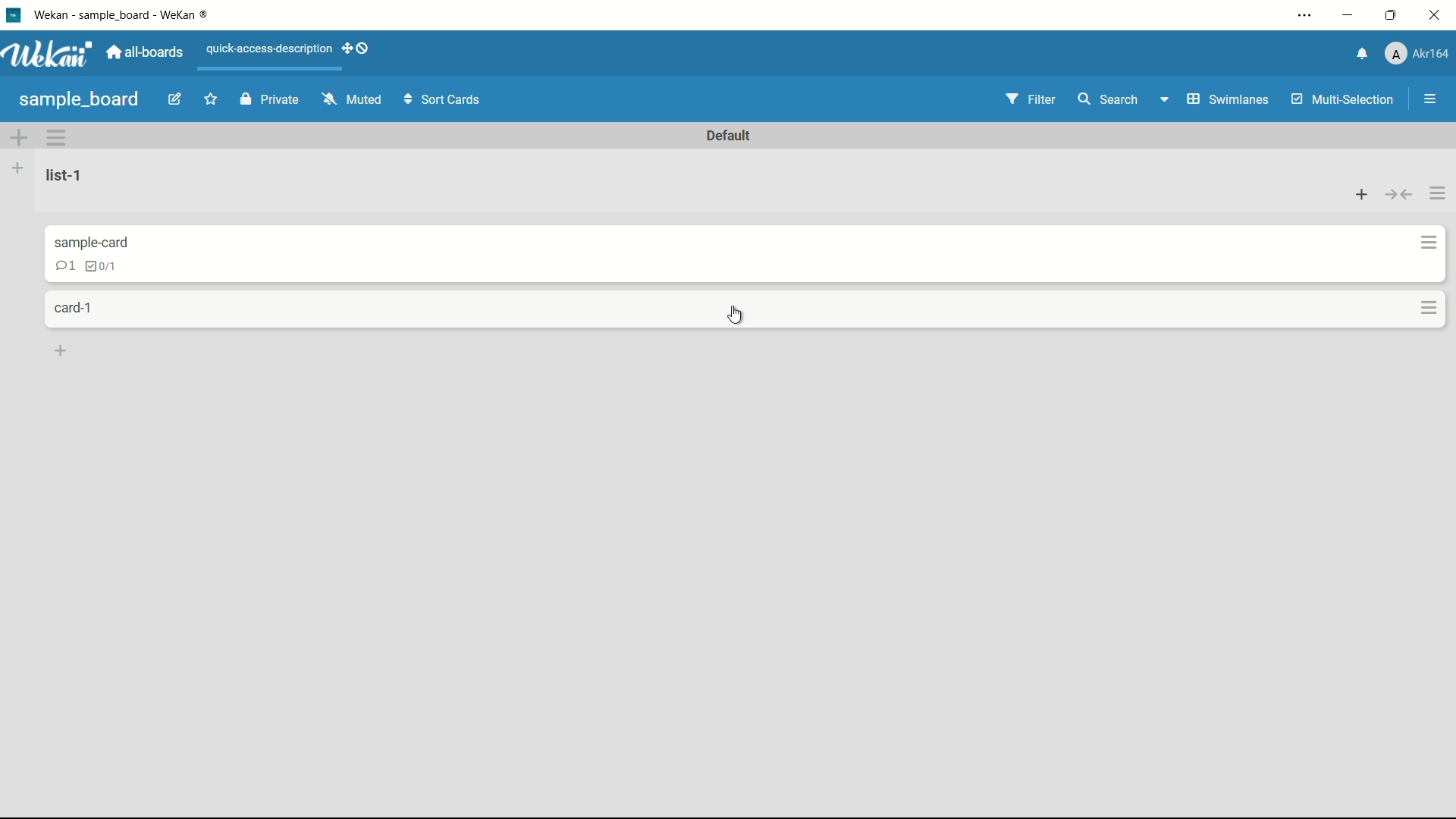 Image resolution: width=1456 pixels, height=819 pixels. What do you see at coordinates (49, 55) in the screenshot?
I see `Wekan logo` at bounding box center [49, 55].